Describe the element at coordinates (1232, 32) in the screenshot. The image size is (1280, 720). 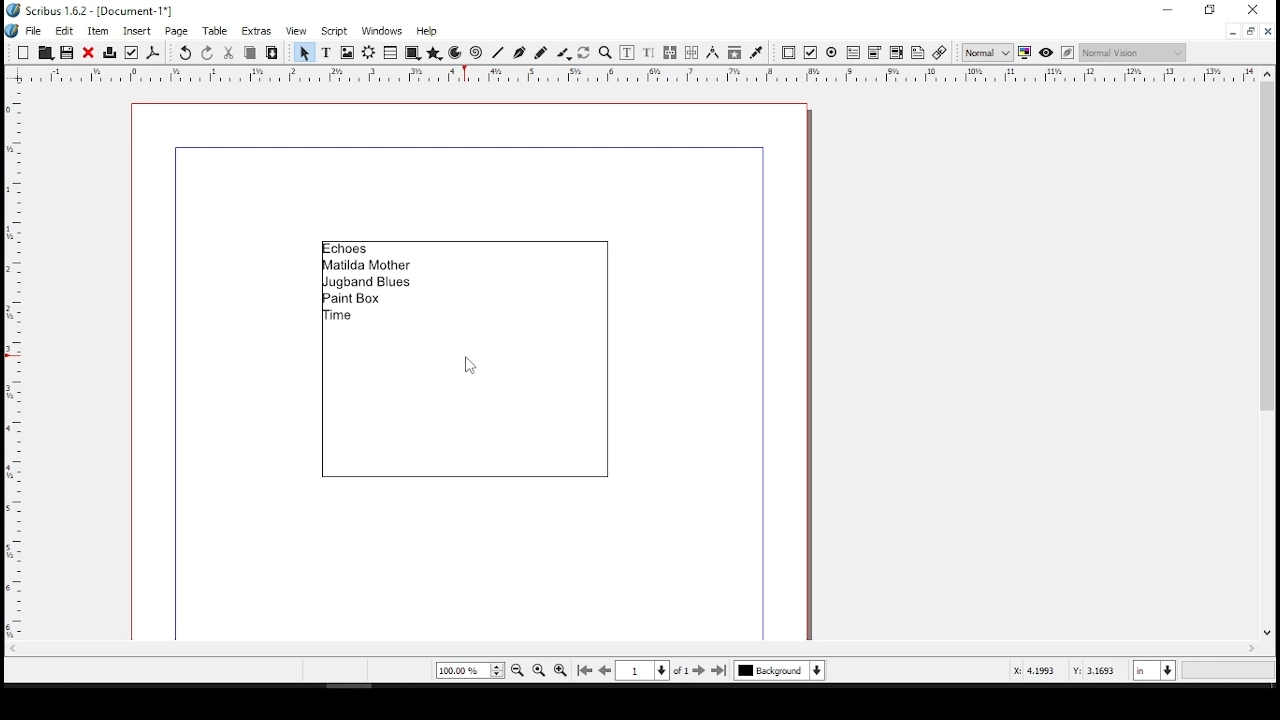
I see `minimize` at that location.